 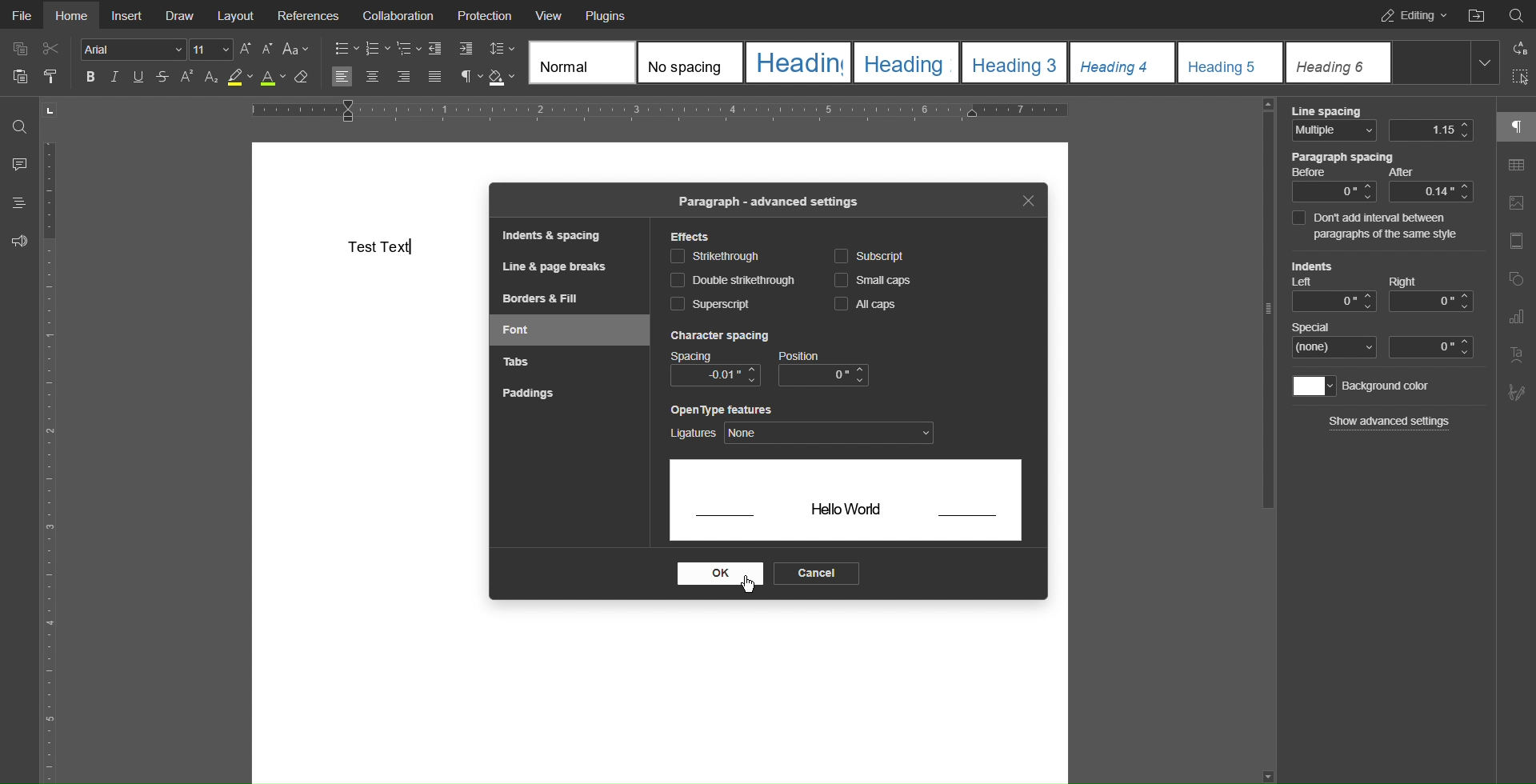 What do you see at coordinates (804, 425) in the screenshot?
I see `OpenType features` at bounding box center [804, 425].